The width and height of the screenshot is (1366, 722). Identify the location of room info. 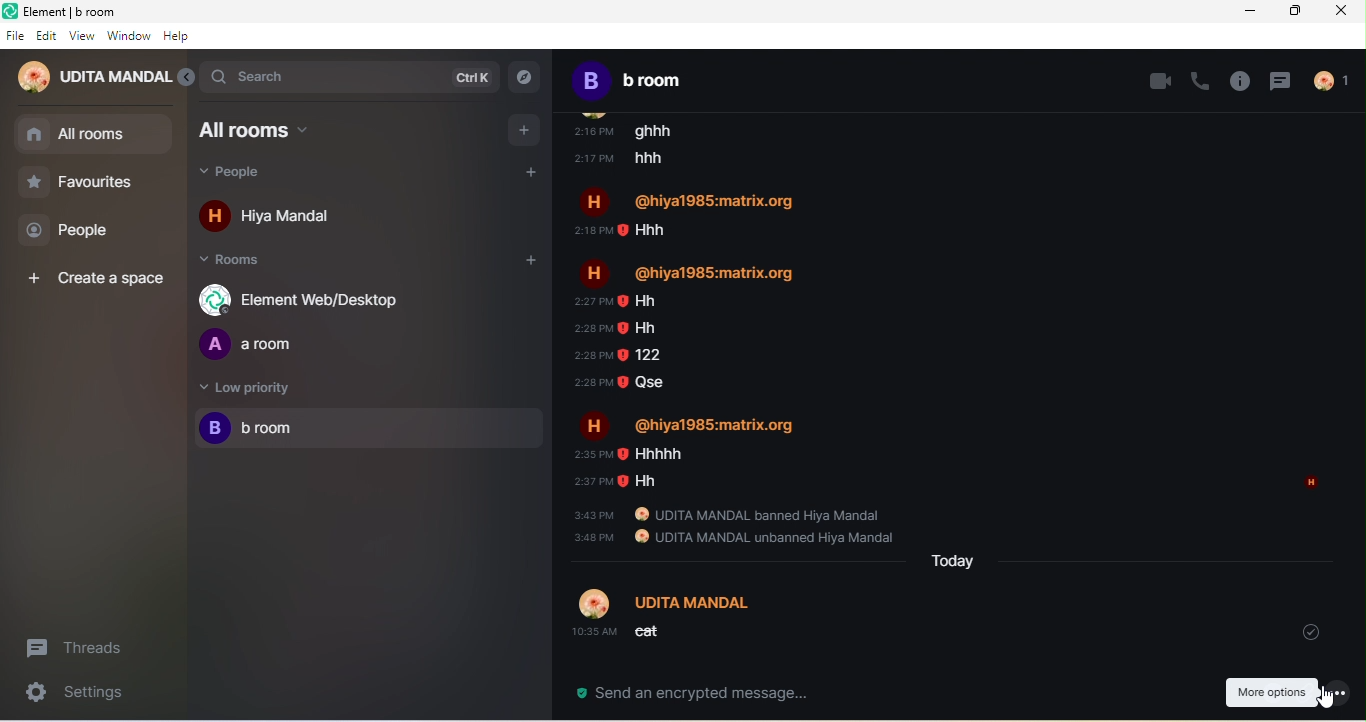
(1241, 81).